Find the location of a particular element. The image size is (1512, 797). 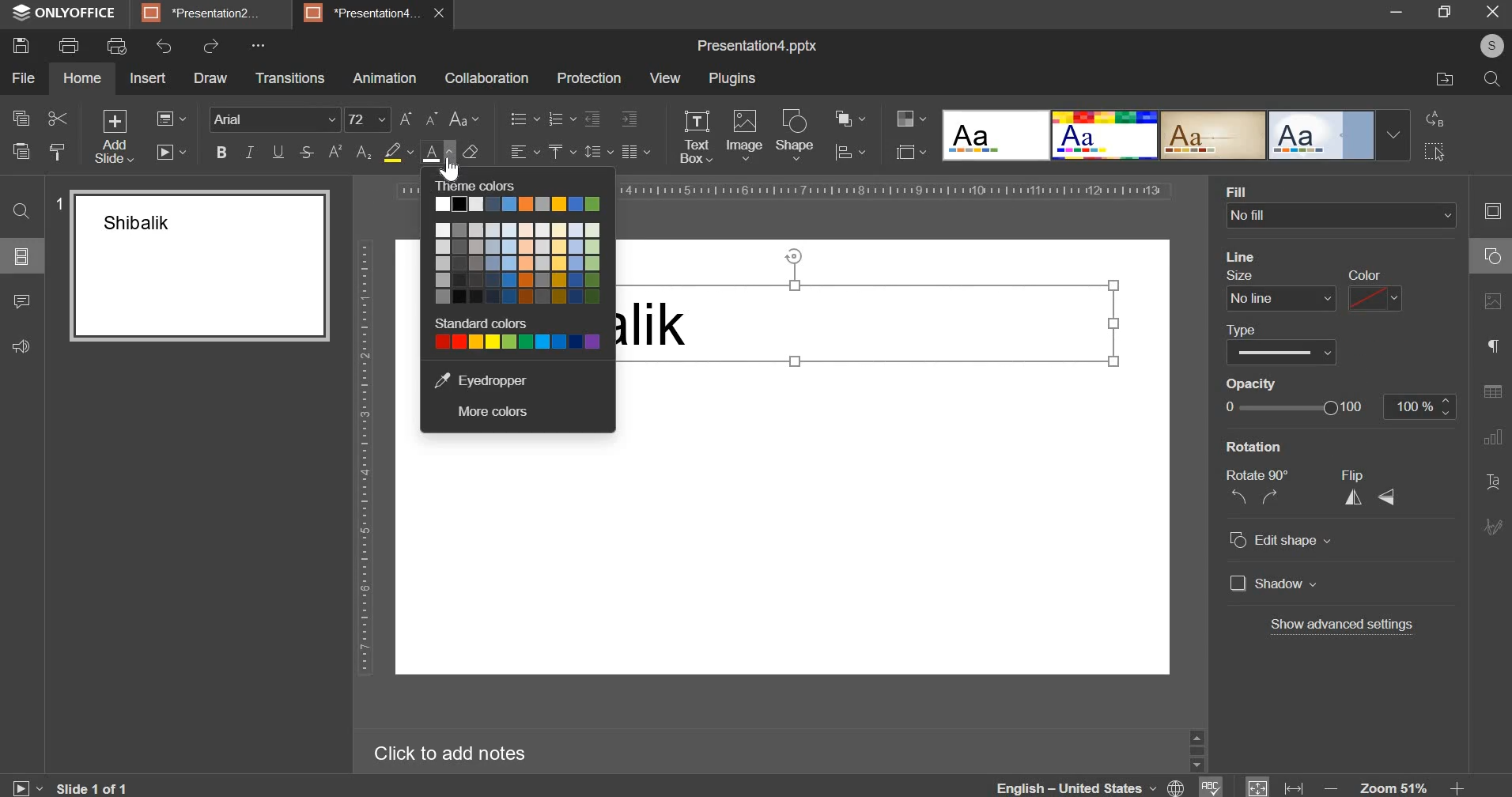

standard colors is located at coordinates (517, 341).